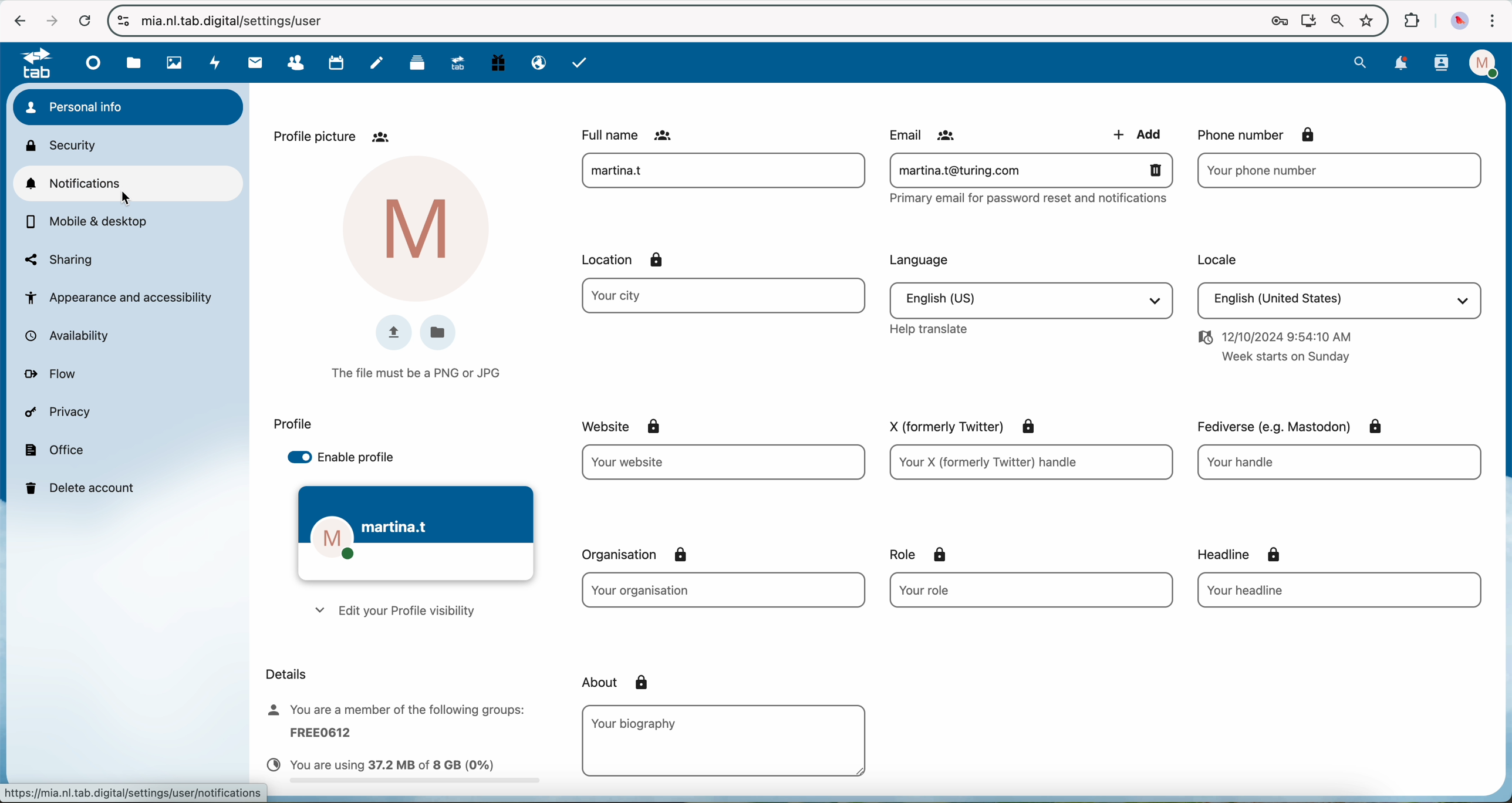  I want to click on profile, so click(293, 421).